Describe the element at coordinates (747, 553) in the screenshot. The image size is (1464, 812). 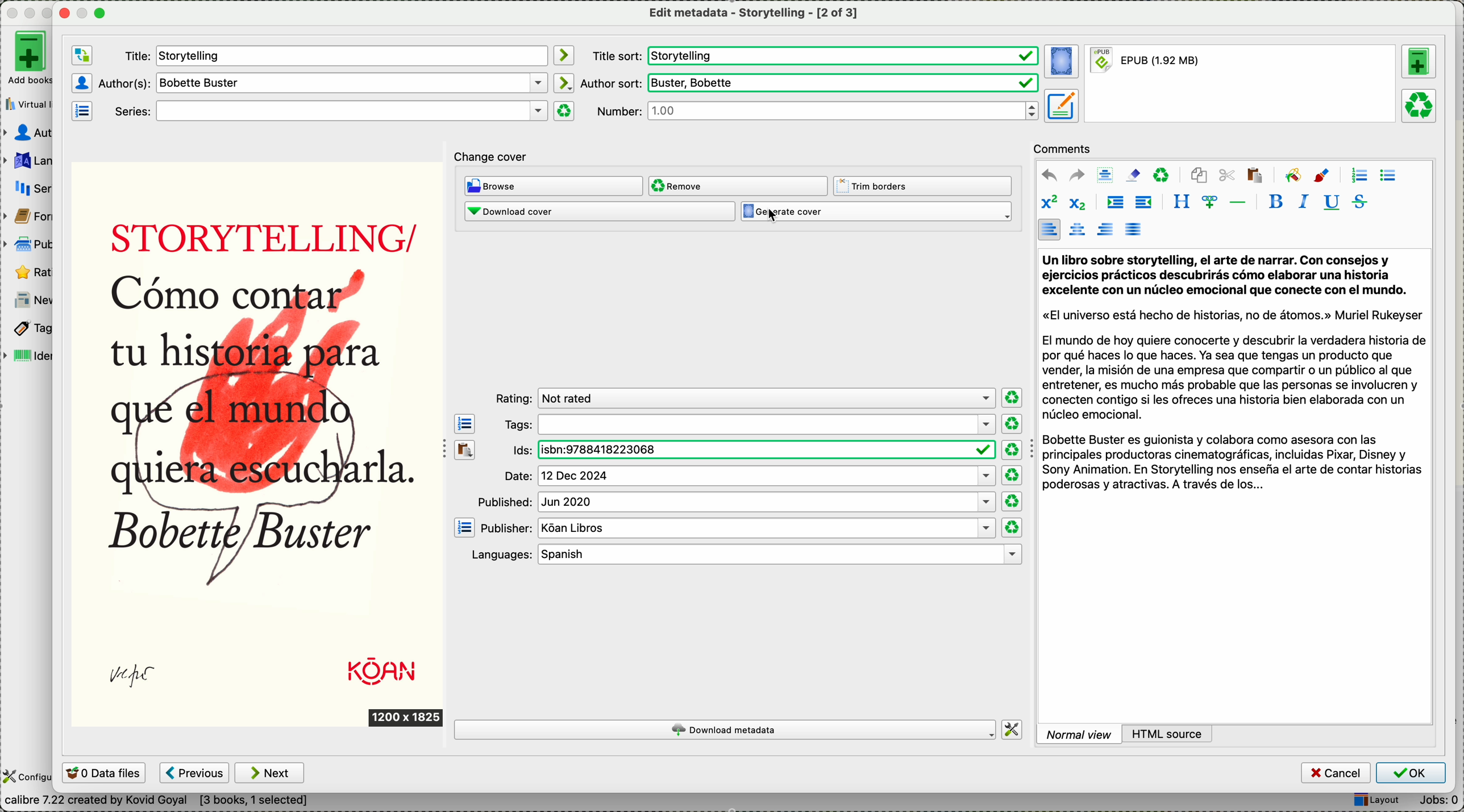
I see `languages` at that location.